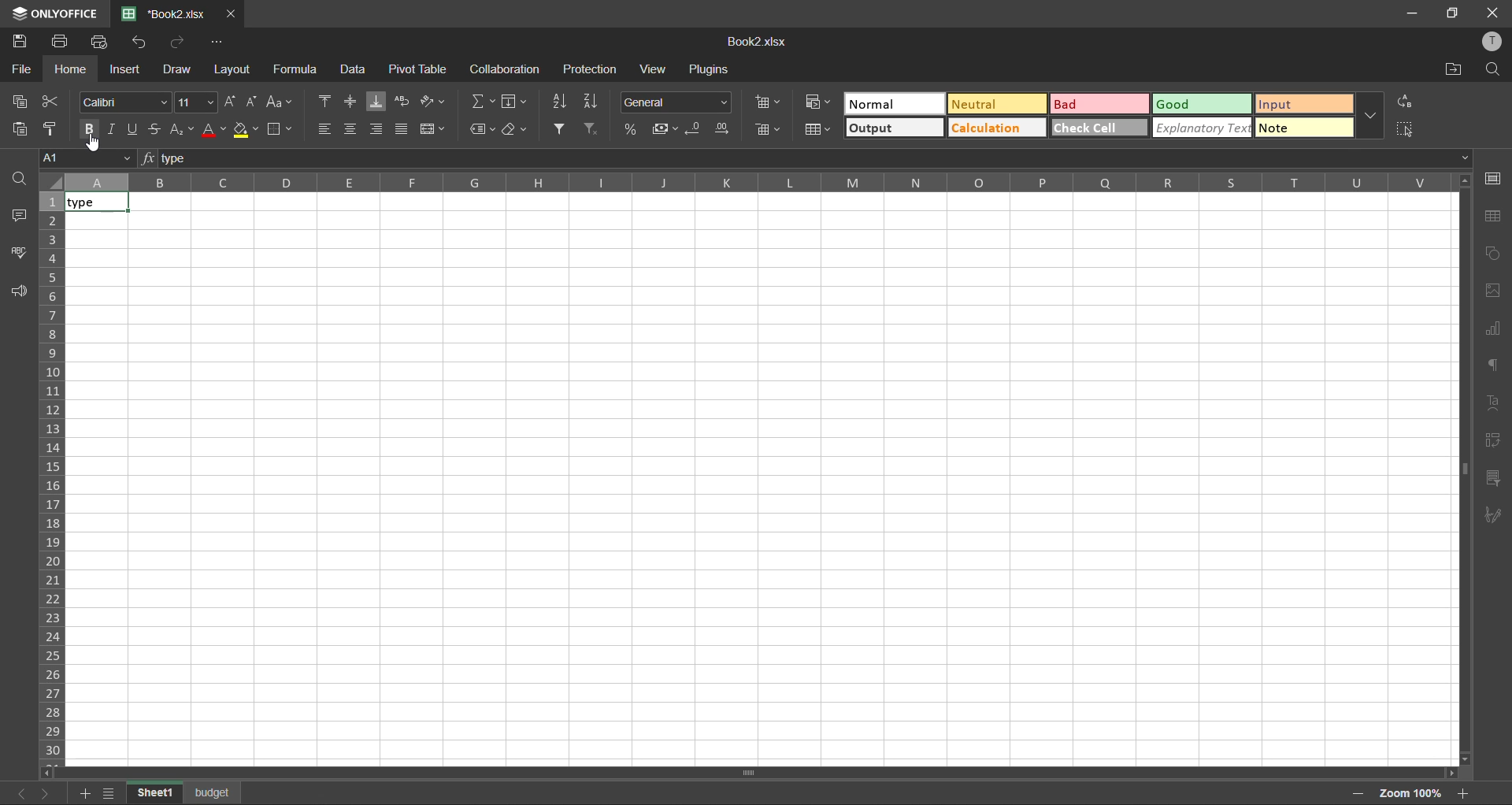 The height and width of the screenshot is (805, 1512). I want to click on format as table , so click(819, 130).